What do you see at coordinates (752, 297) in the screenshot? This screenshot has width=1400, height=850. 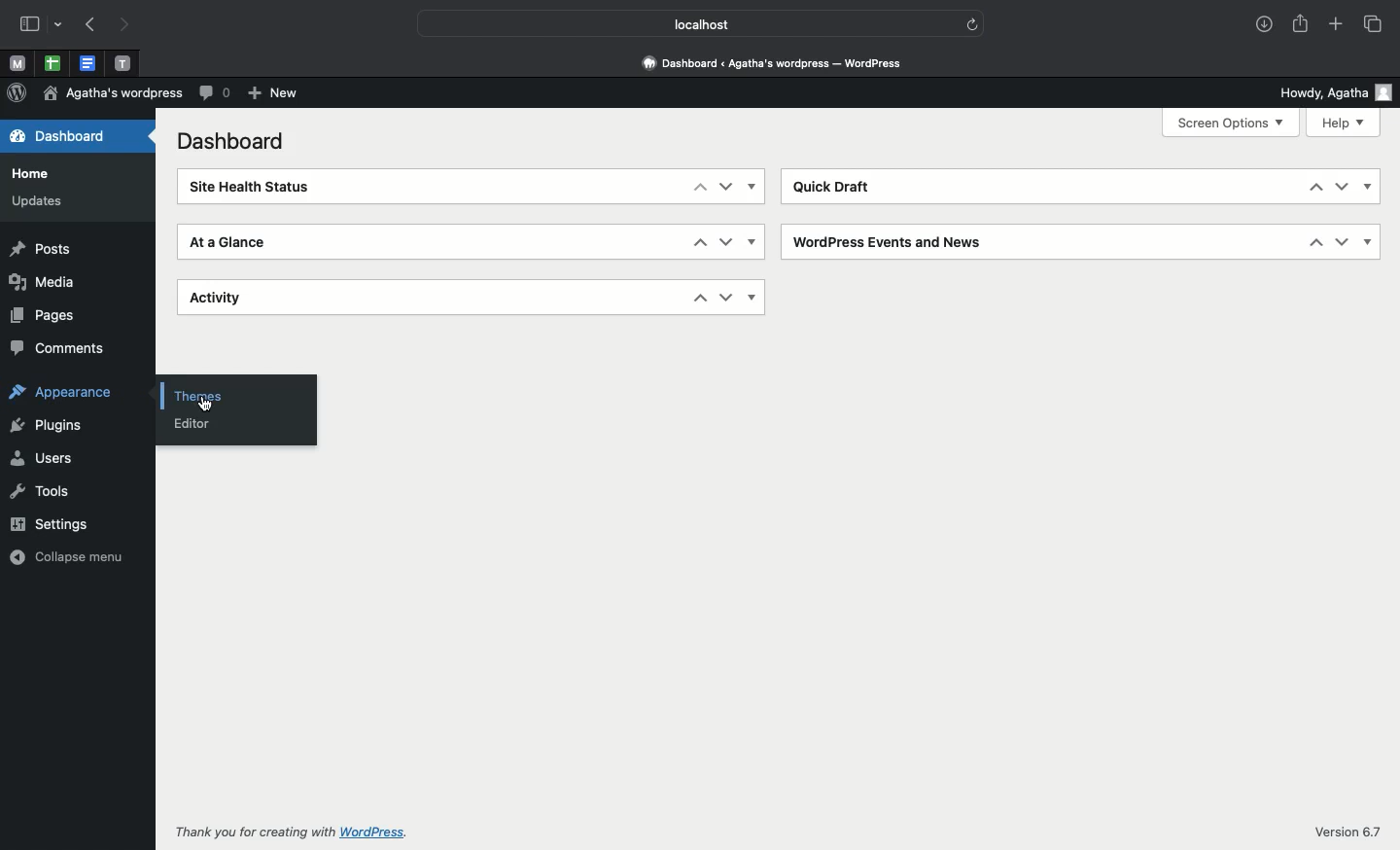 I see `Show` at bounding box center [752, 297].